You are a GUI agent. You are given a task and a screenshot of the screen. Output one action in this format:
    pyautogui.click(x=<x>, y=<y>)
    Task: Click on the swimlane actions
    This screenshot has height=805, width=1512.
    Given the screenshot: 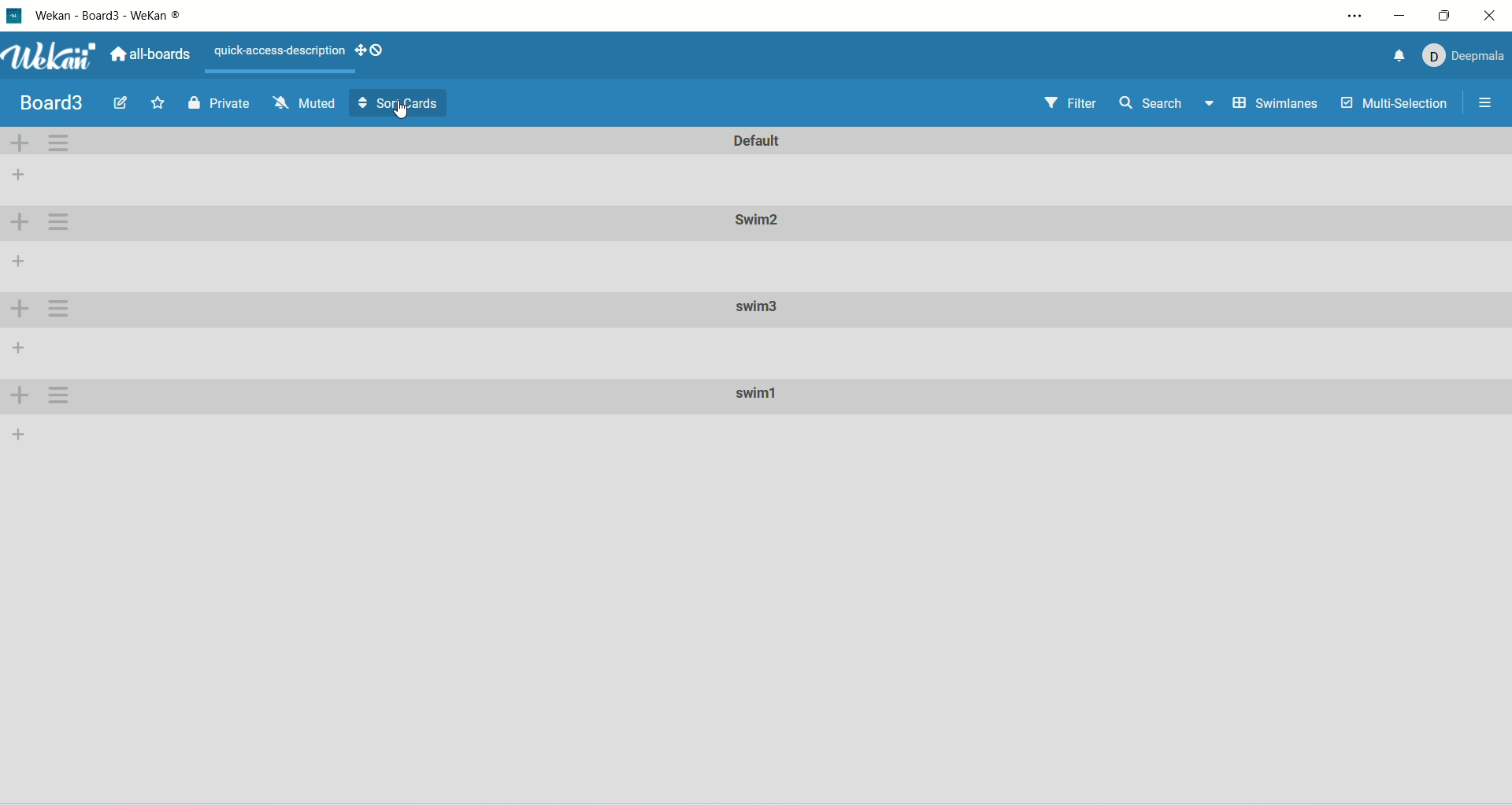 What is the action you would take?
    pyautogui.click(x=60, y=142)
    